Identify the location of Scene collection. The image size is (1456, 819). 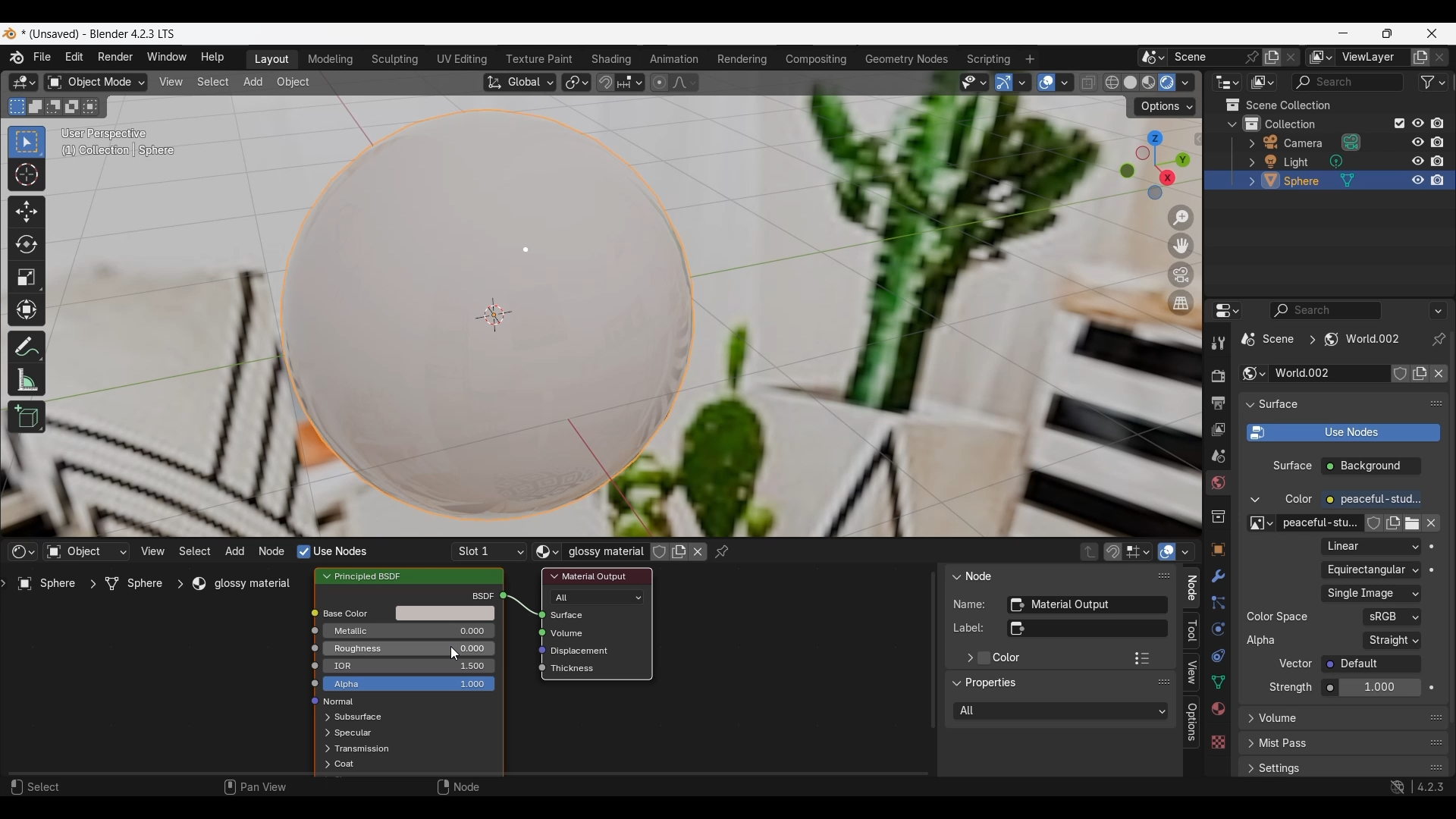
(1327, 105).